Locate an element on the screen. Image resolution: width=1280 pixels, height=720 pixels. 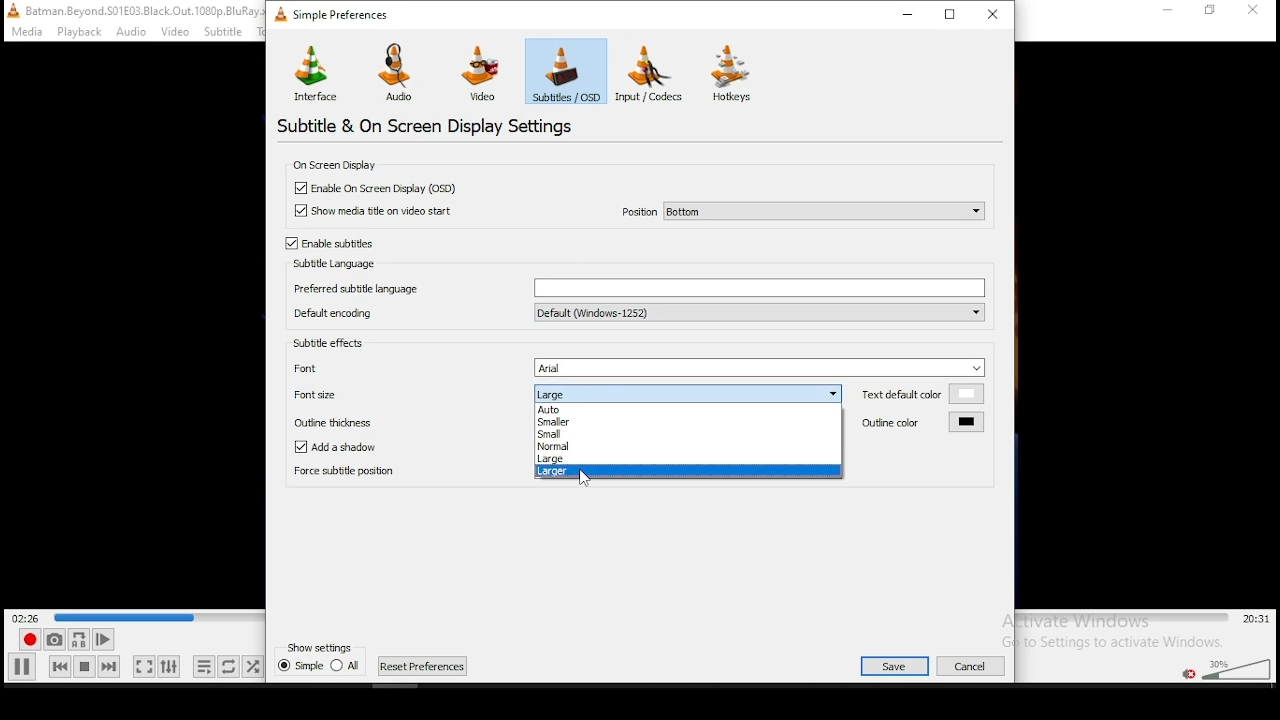
close window is located at coordinates (1255, 12).